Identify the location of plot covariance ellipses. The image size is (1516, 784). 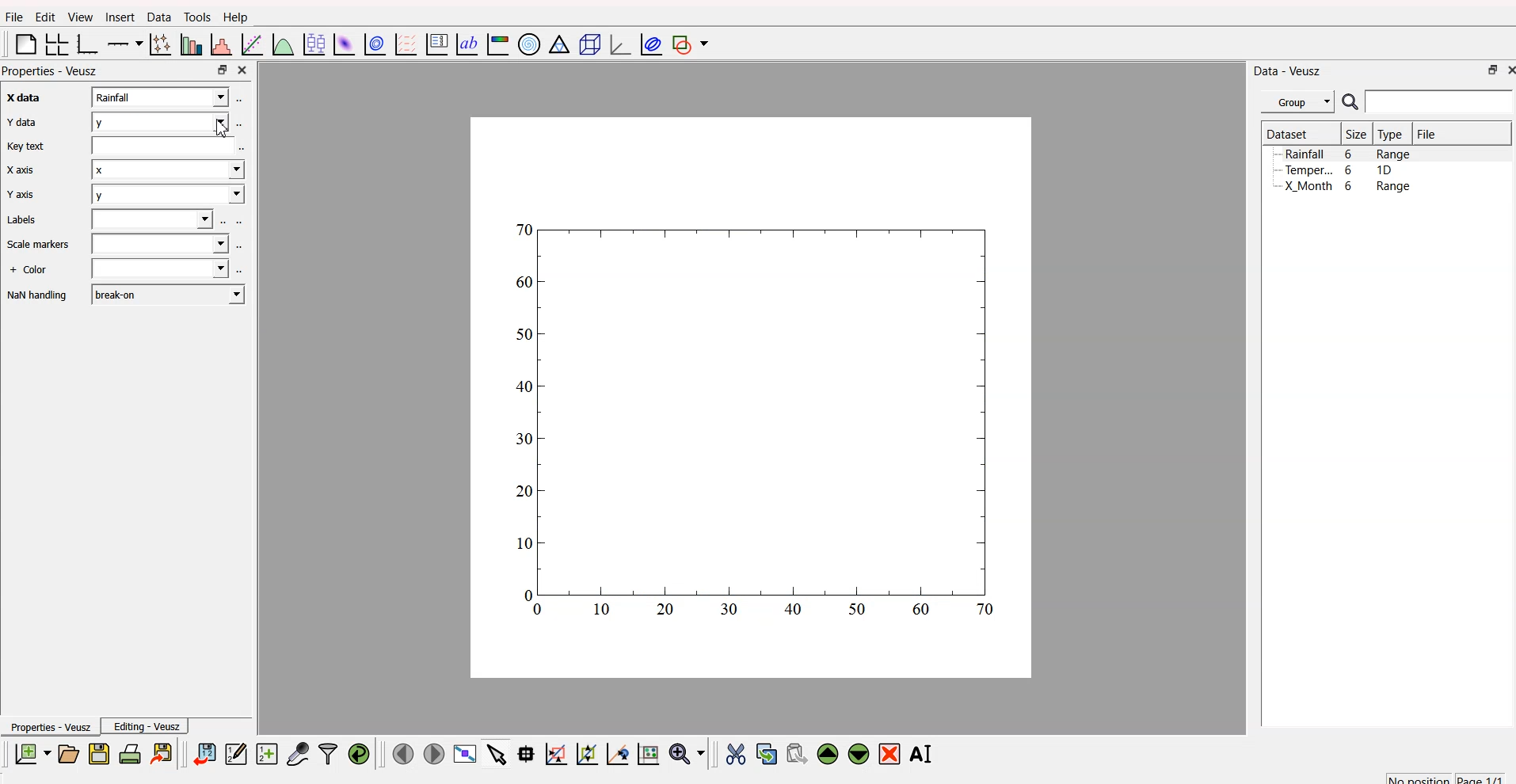
(648, 44).